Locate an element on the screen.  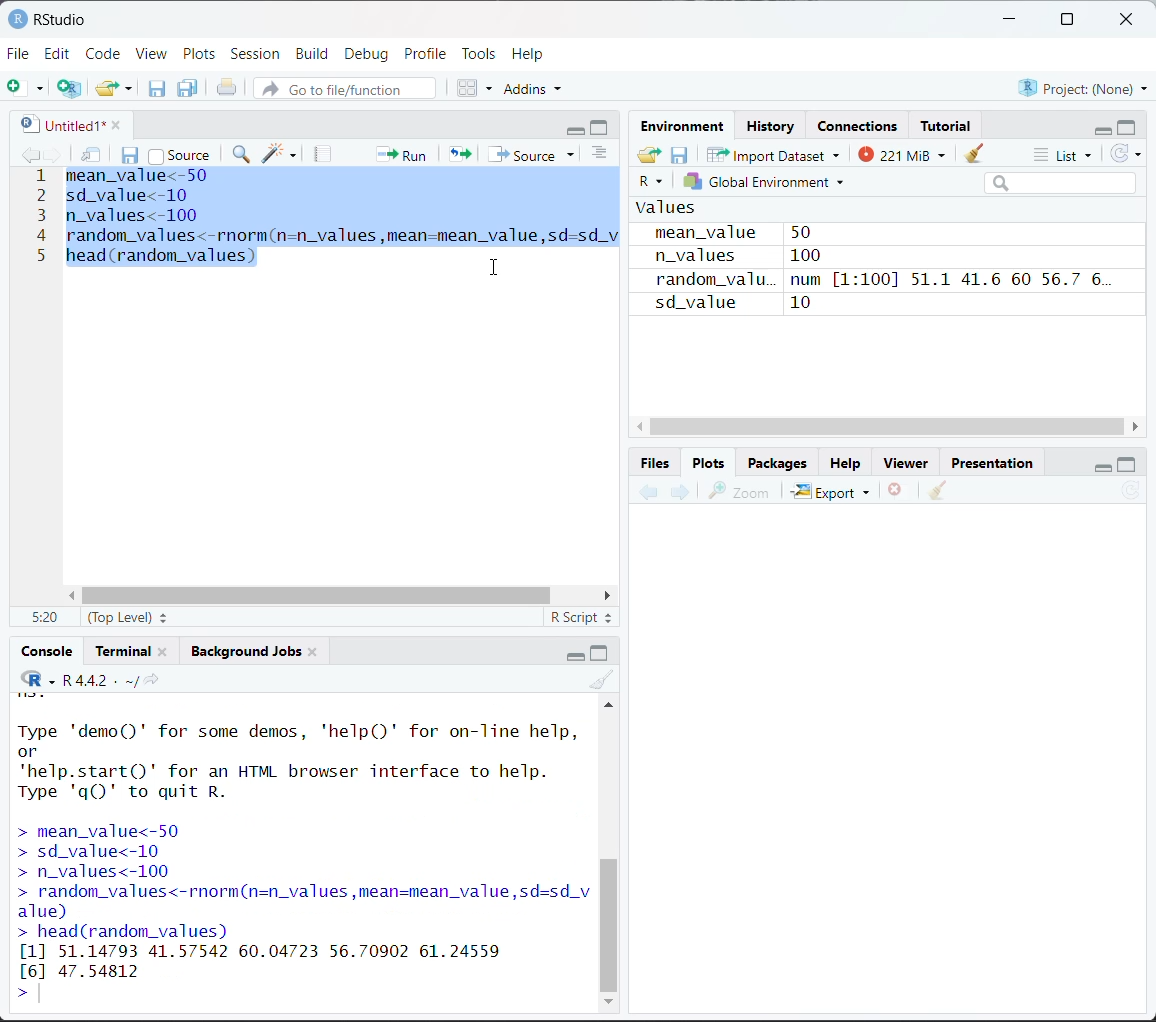
maximize is located at coordinates (601, 652).